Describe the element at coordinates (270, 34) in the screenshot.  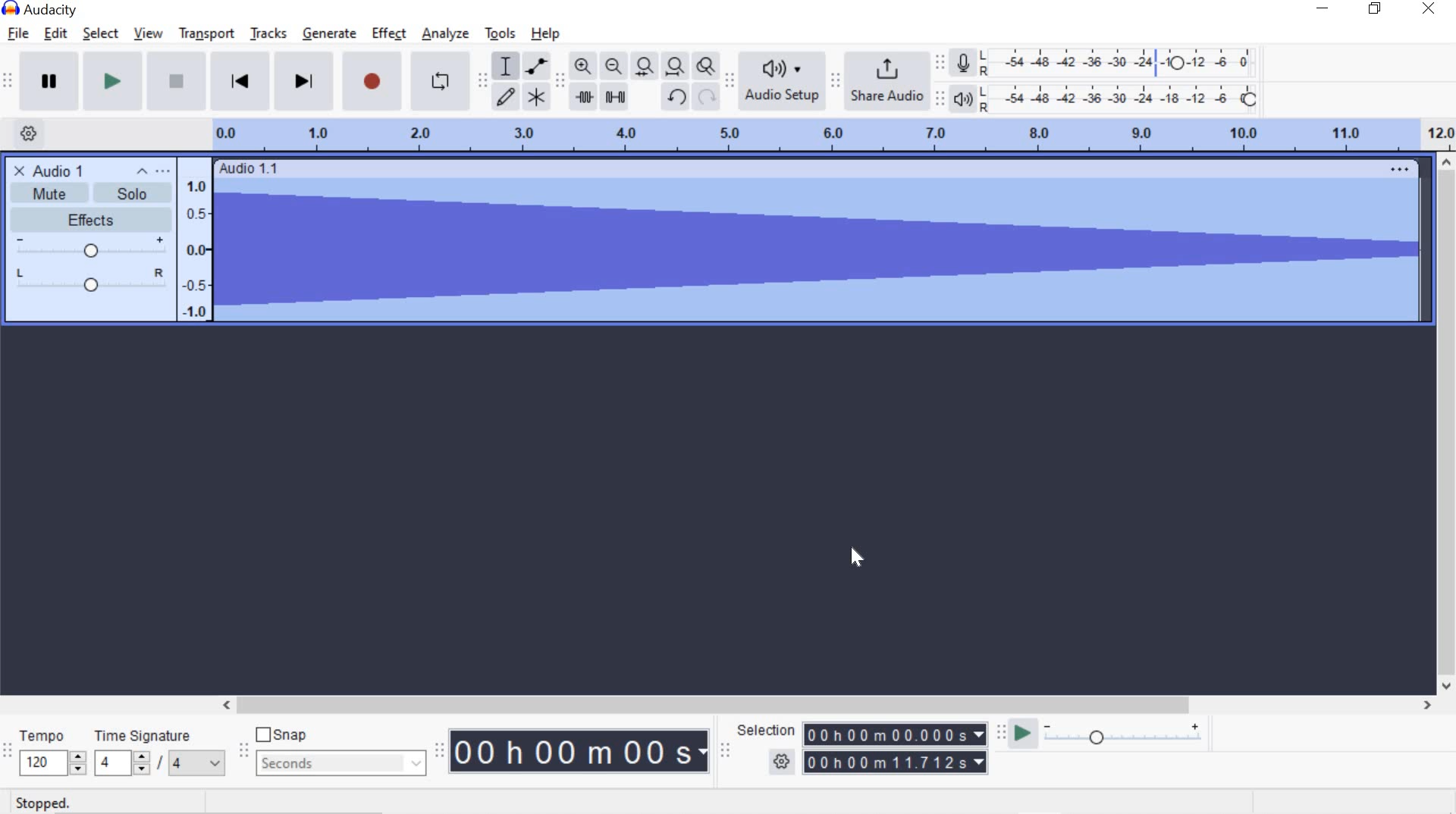
I see `tracks` at that location.